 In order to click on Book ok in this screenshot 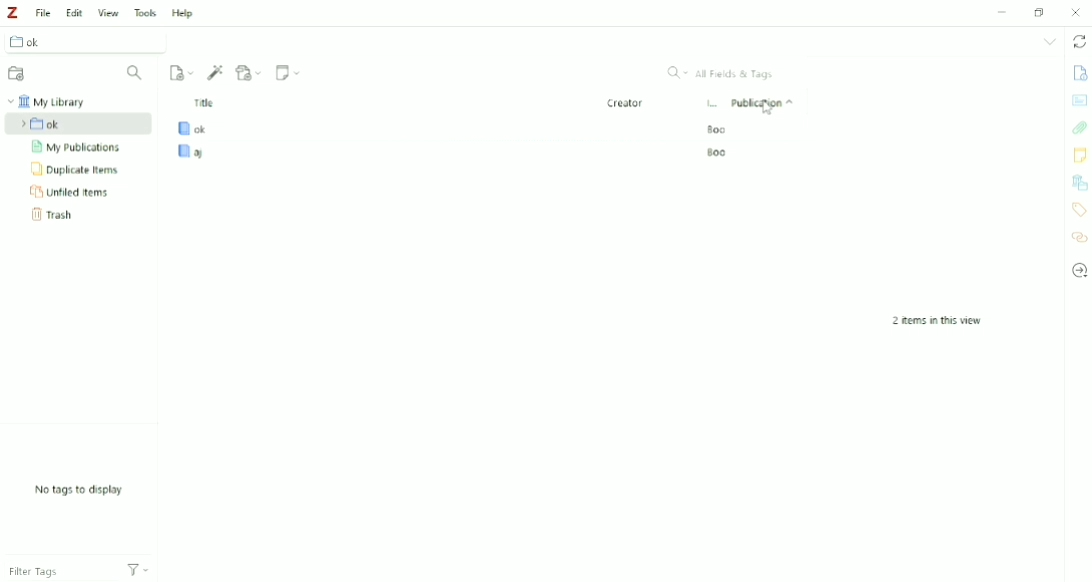, I will do `click(450, 129)`.